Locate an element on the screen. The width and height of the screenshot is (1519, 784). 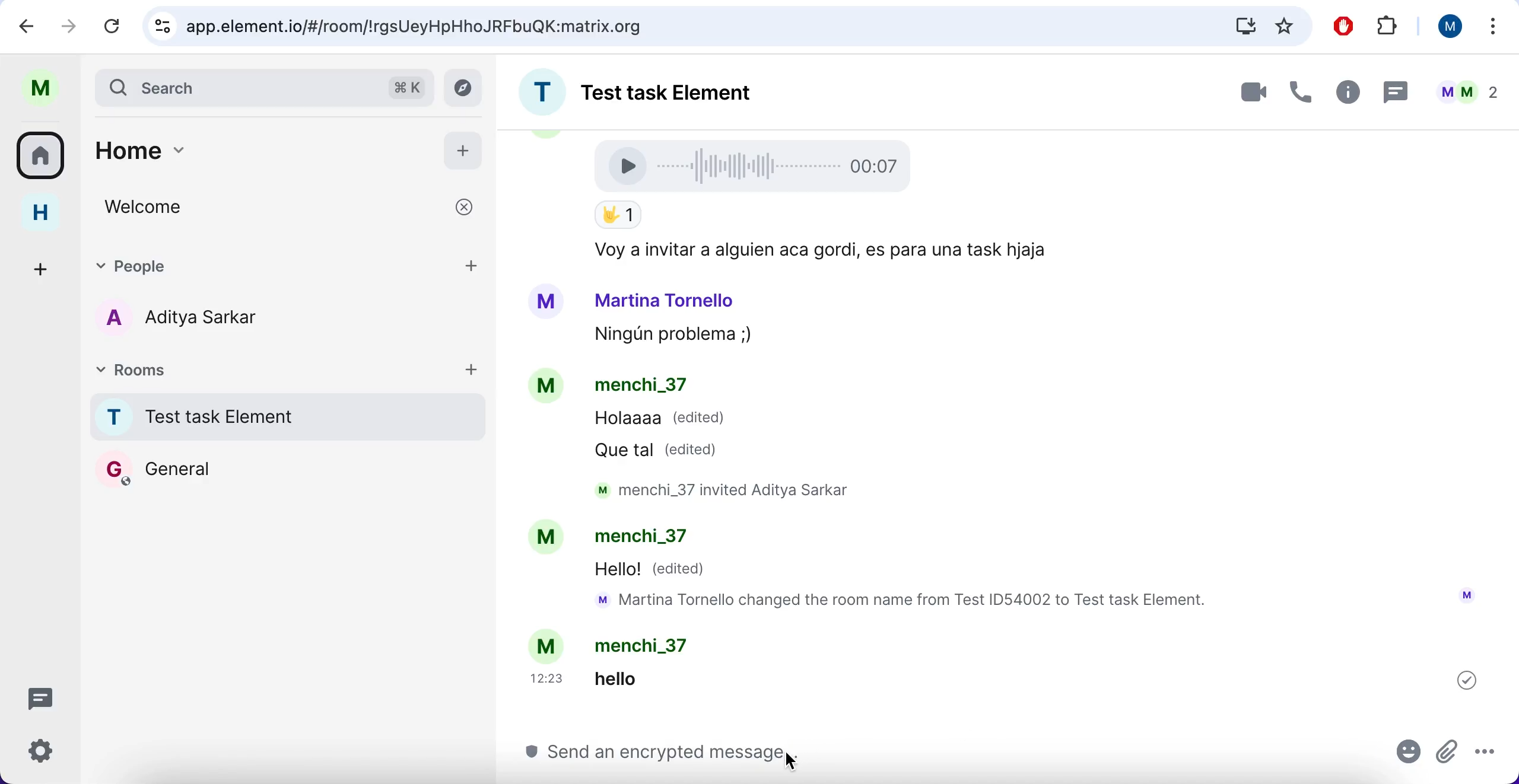
User Icon is located at coordinates (1467, 595).